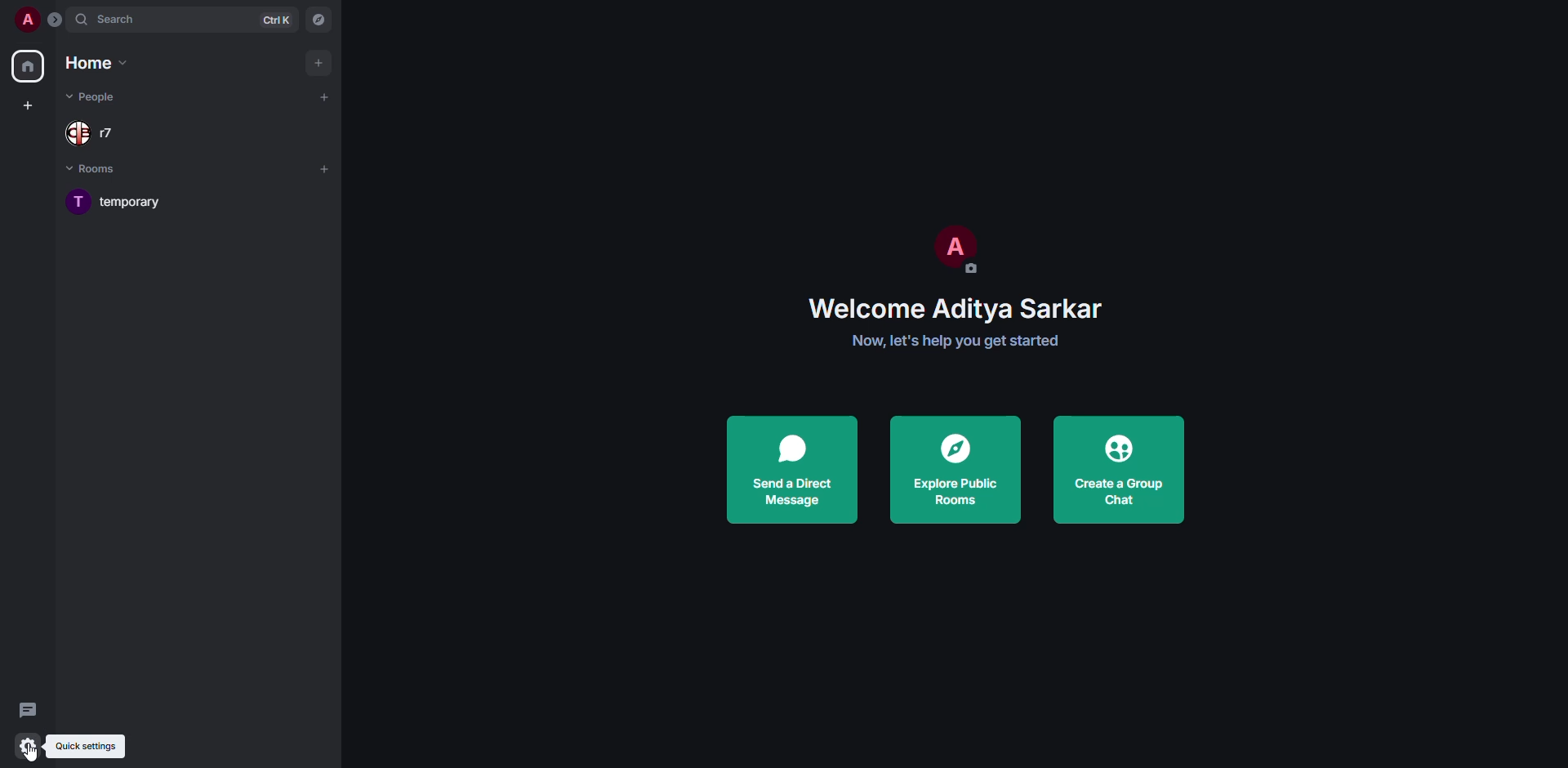 The image size is (1568, 768). I want to click on send a direct message, so click(794, 468).